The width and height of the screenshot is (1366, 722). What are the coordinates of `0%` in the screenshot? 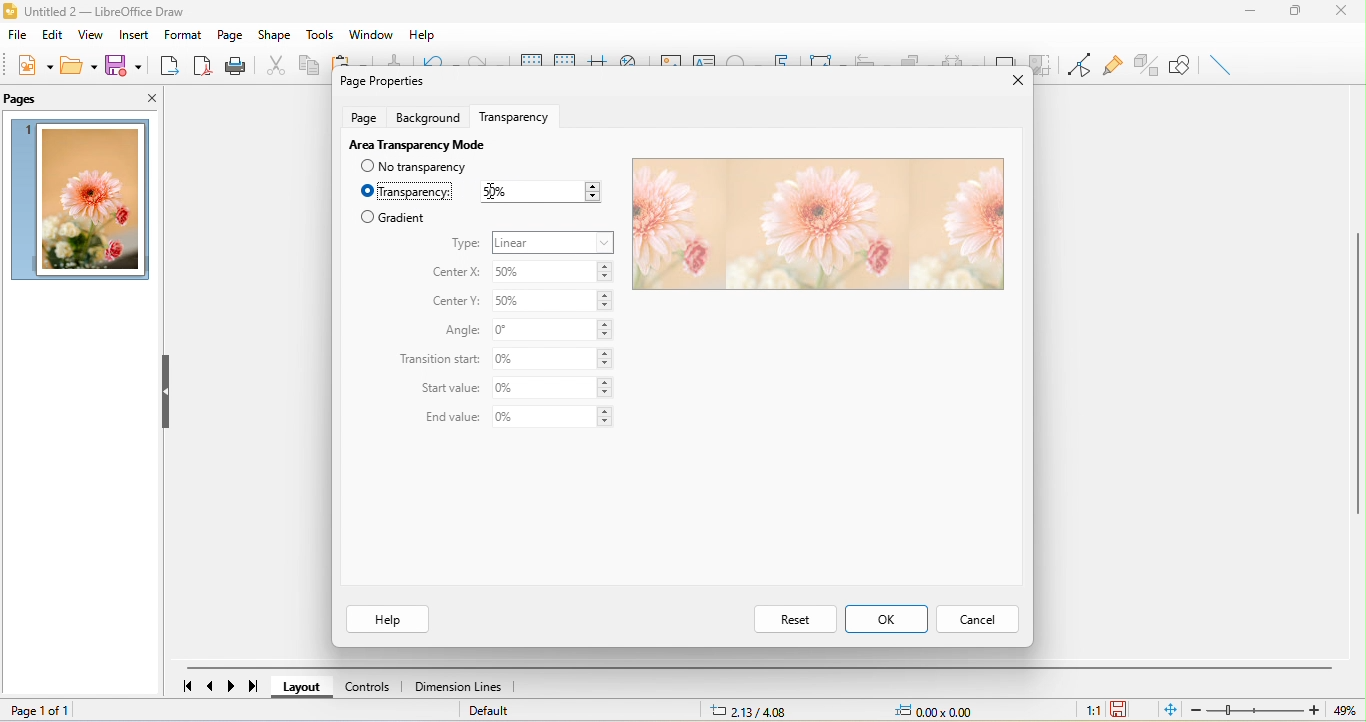 It's located at (554, 330).